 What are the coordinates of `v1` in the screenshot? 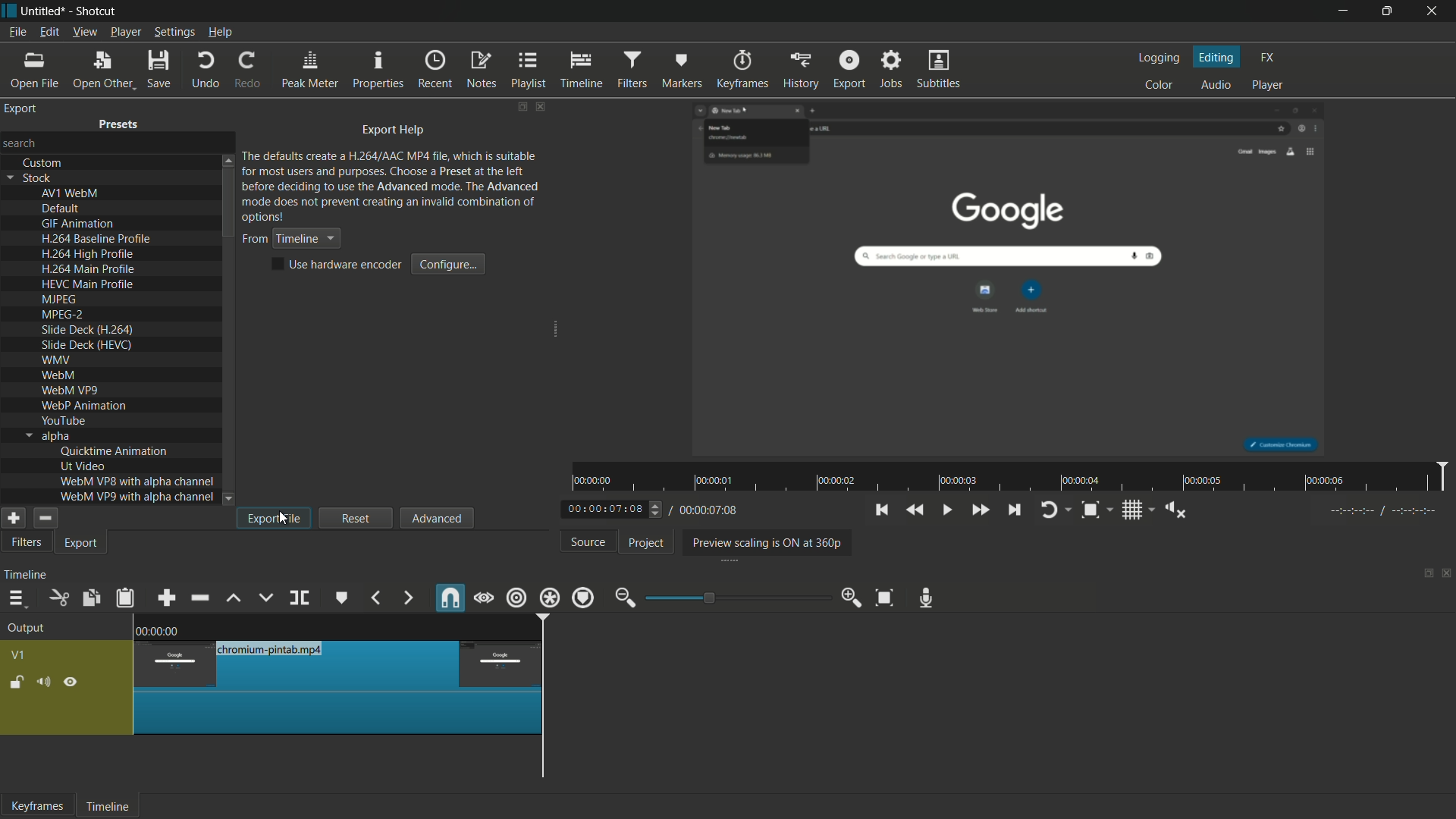 It's located at (20, 657).